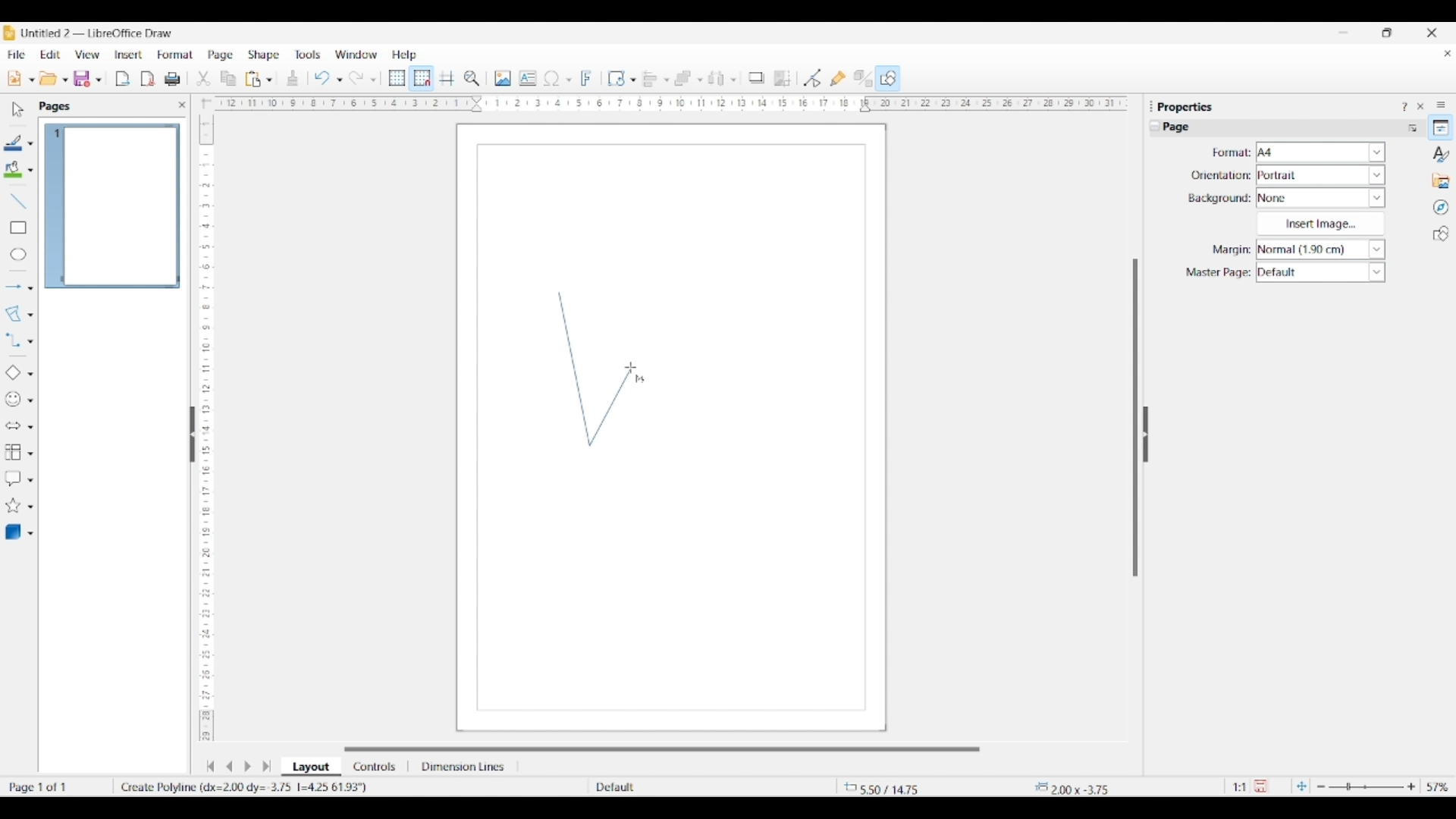 The height and width of the screenshot is (819, 1456). Describe the element at coordinates (616, 78) in the screenshot. I see `Selected transformation` at that location.